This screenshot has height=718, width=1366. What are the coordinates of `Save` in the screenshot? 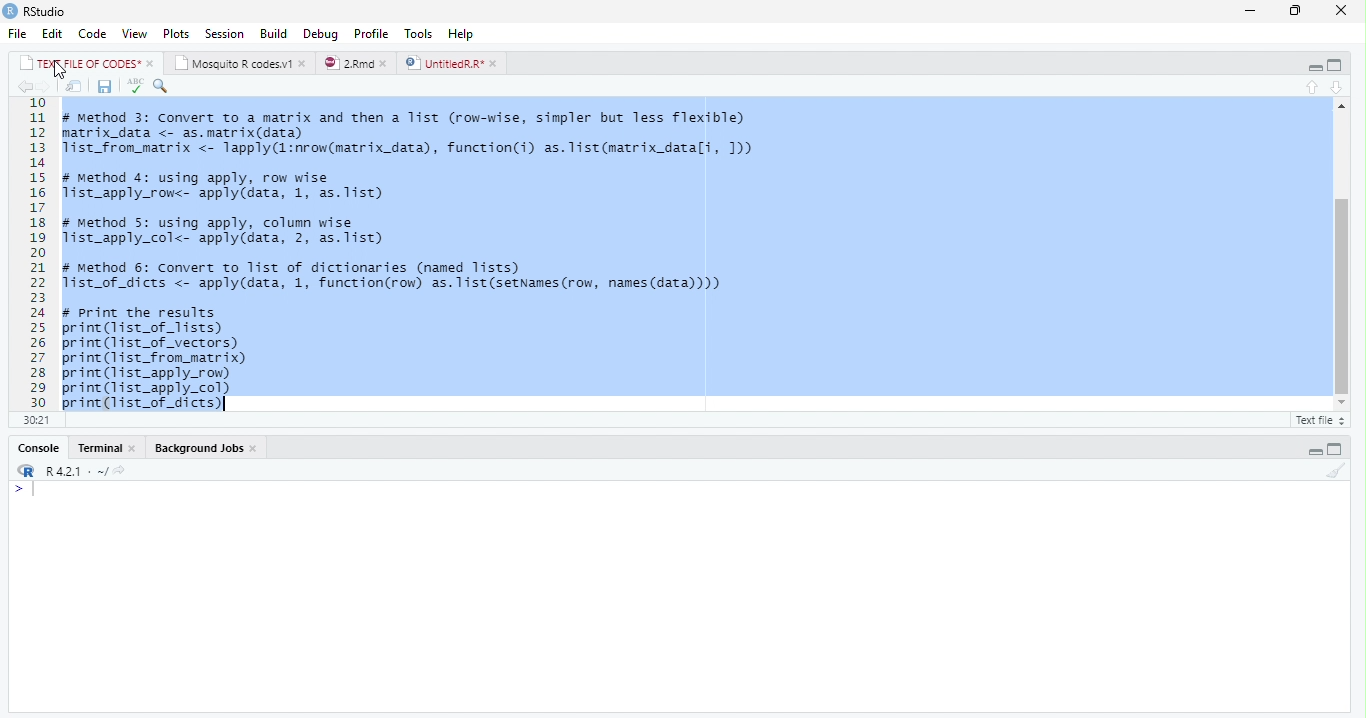 It's located at (103, 87).